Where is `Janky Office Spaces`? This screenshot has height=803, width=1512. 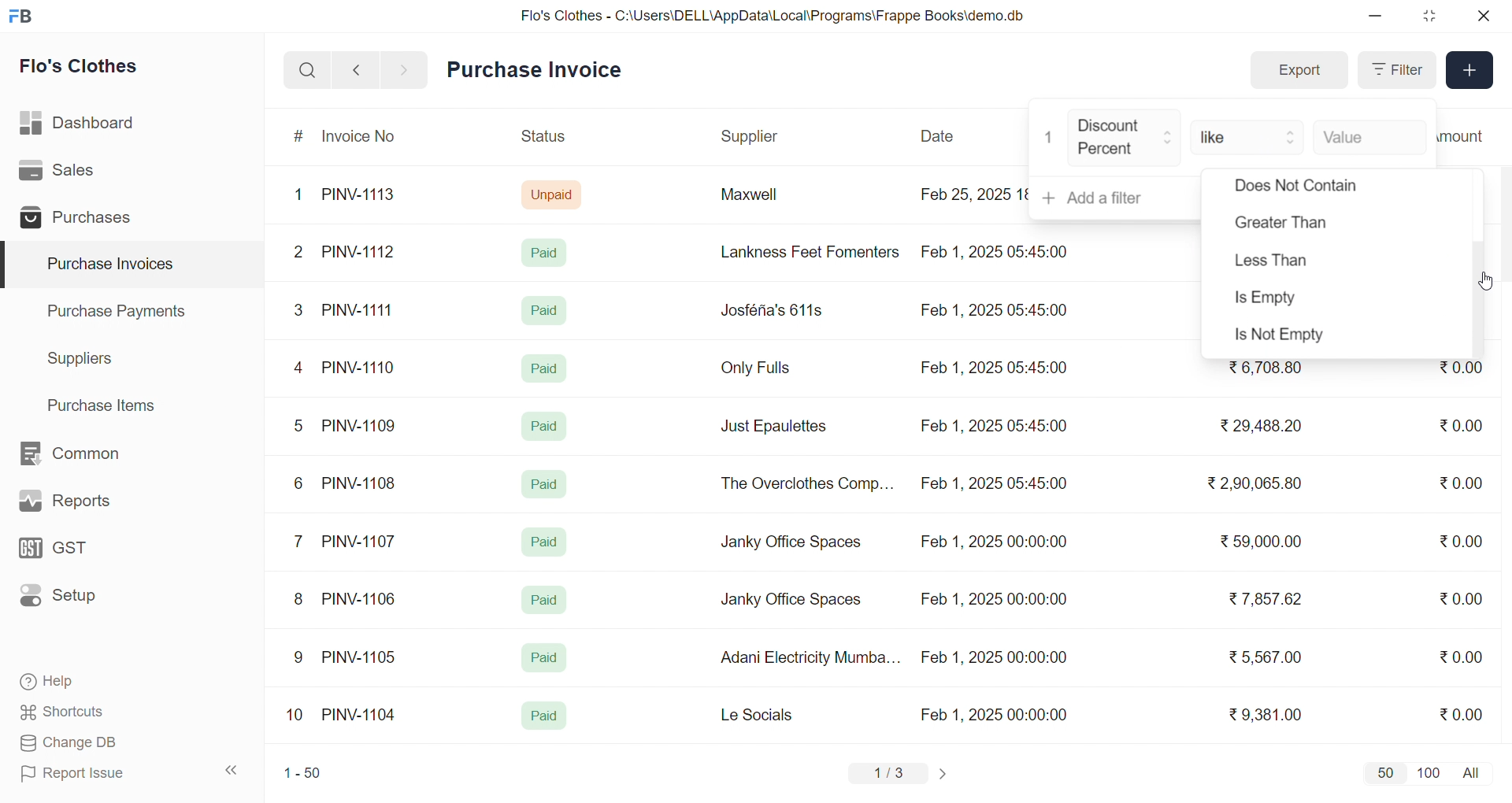 Janky Office Spaces is located at coordinates (792, 543).